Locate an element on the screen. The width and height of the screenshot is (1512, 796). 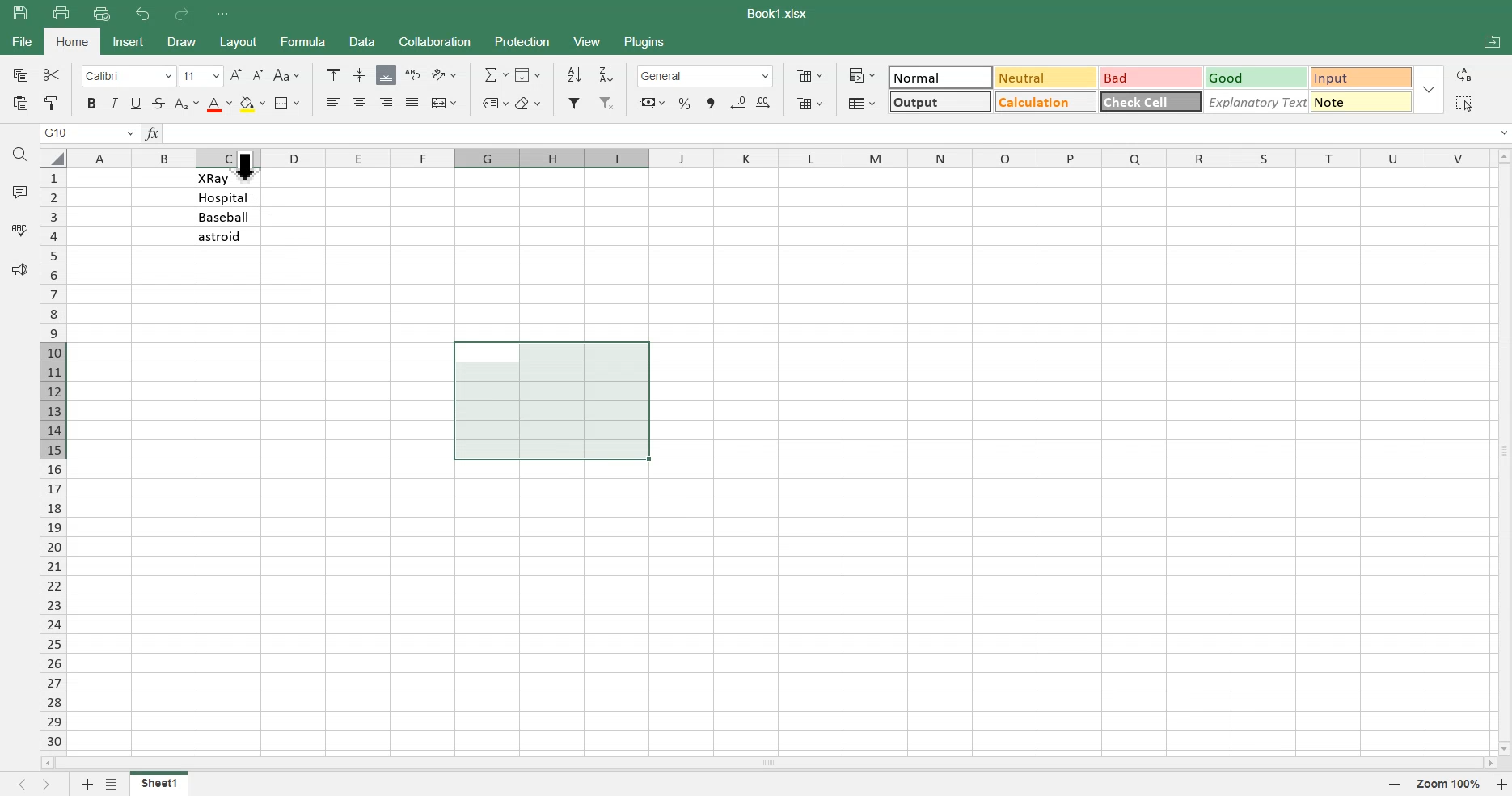
Data is located at coordinates (361, 41).